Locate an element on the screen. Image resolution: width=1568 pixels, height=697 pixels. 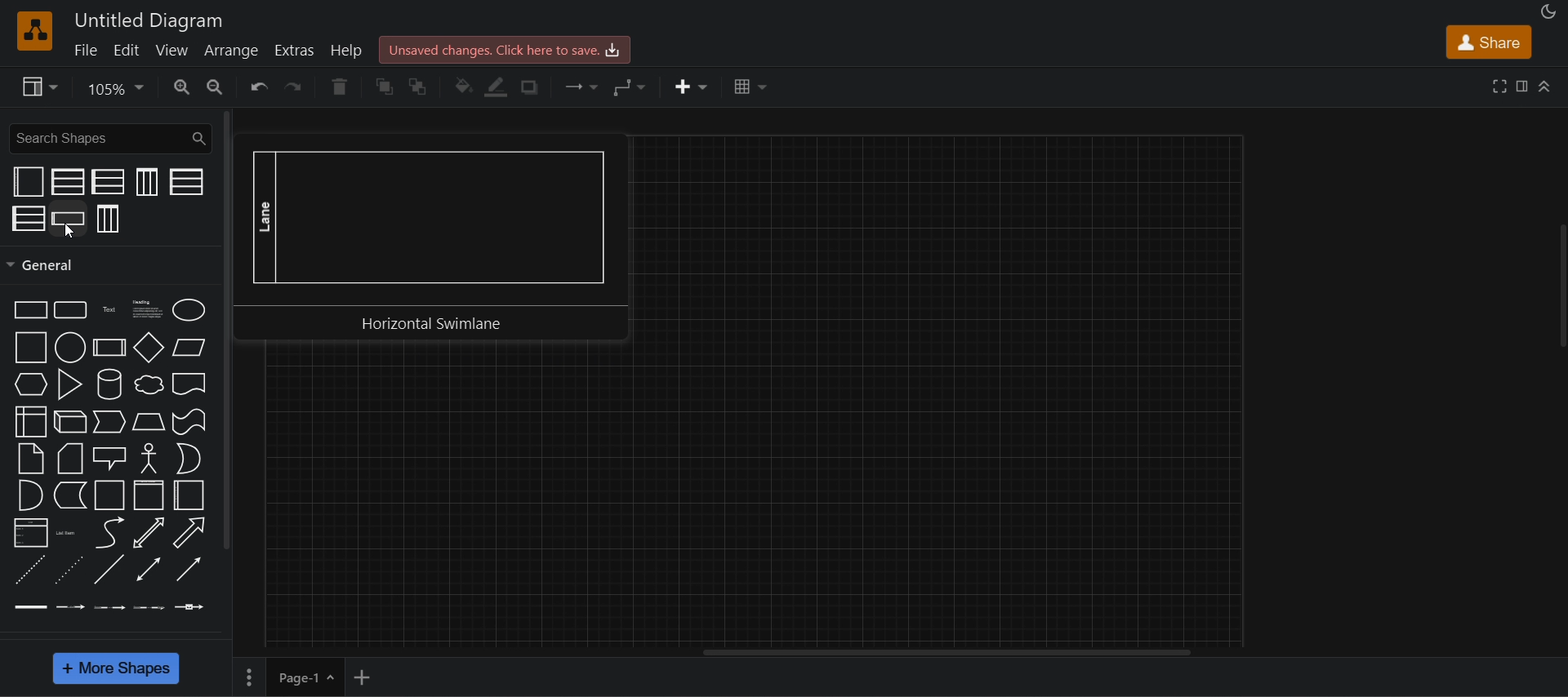
and is located at coordinates (29, 495).